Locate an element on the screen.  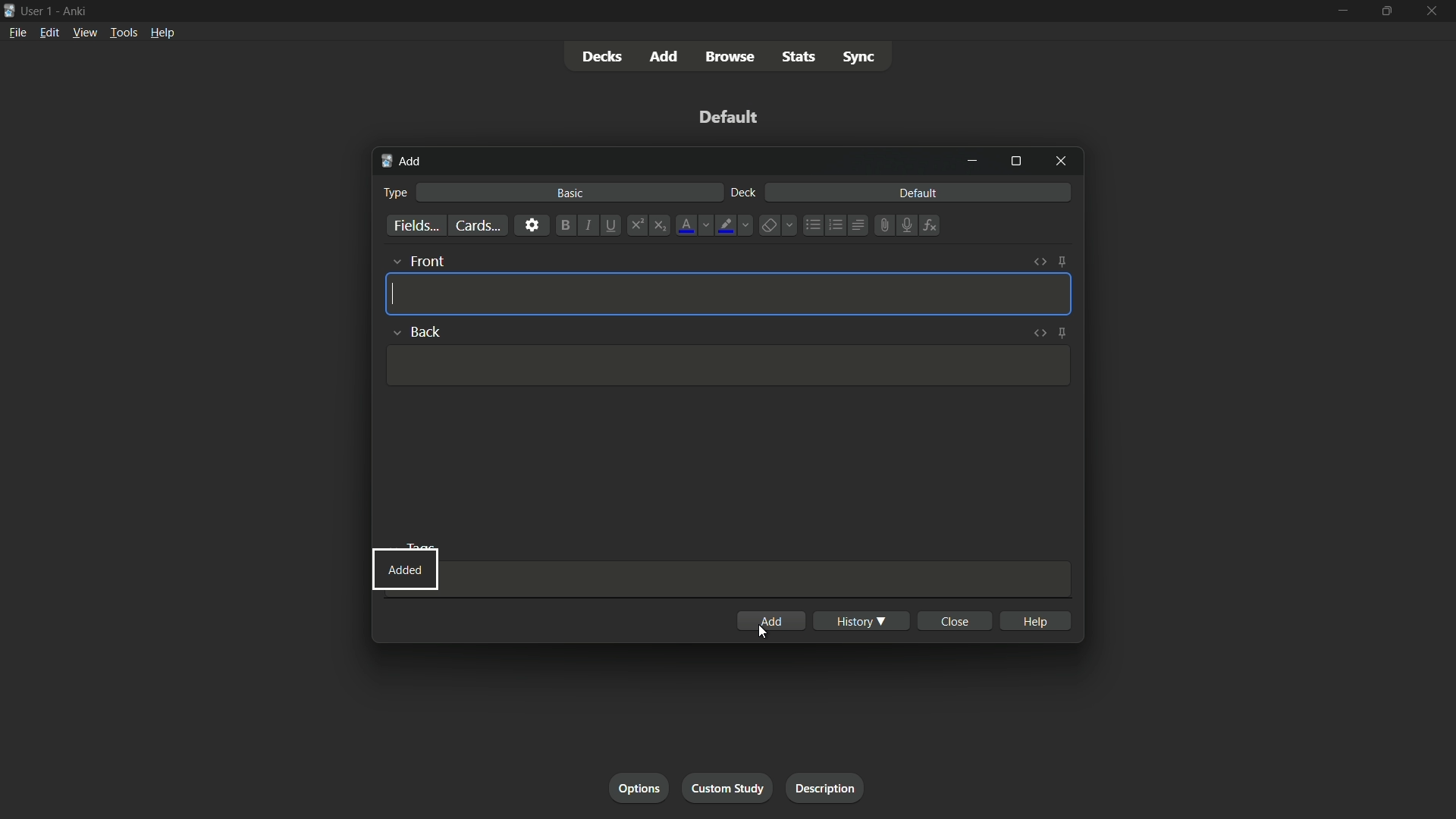
decks is located at coordinates (602, 57).